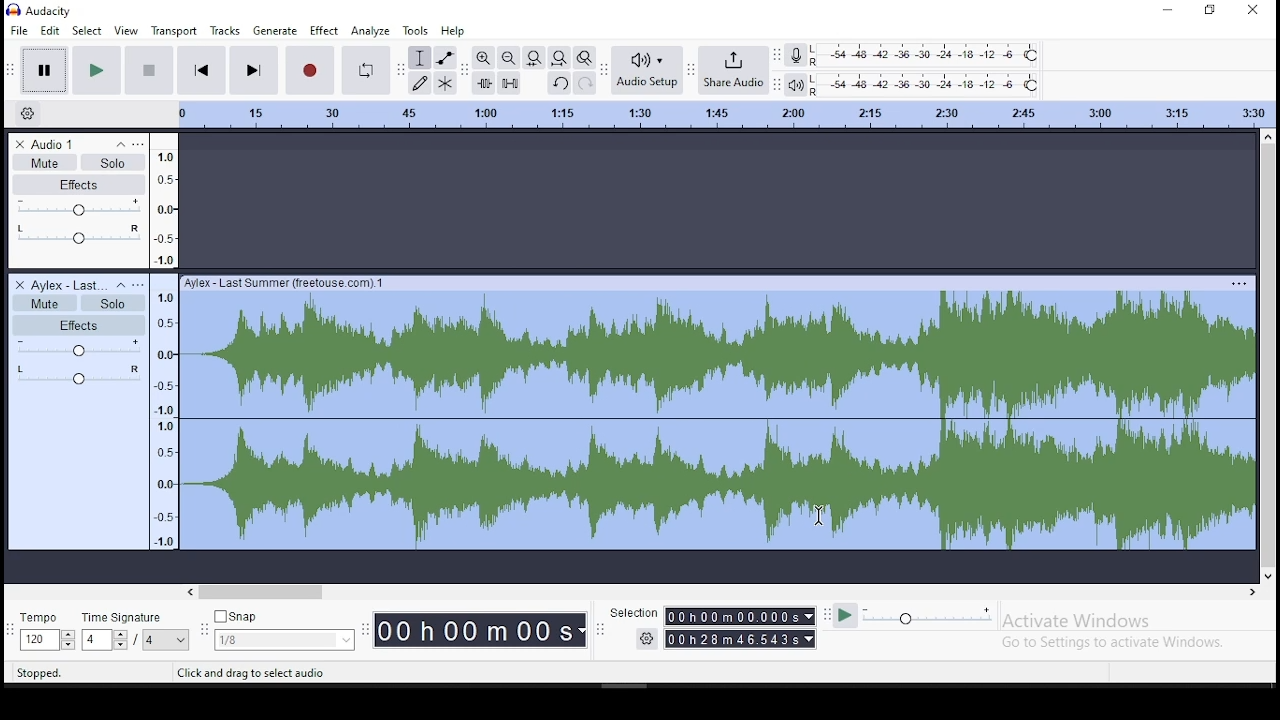 The image size is (1280, 720). Describe the element at coordinates (81, 184) in the screenshot. I see `effects` at that location.